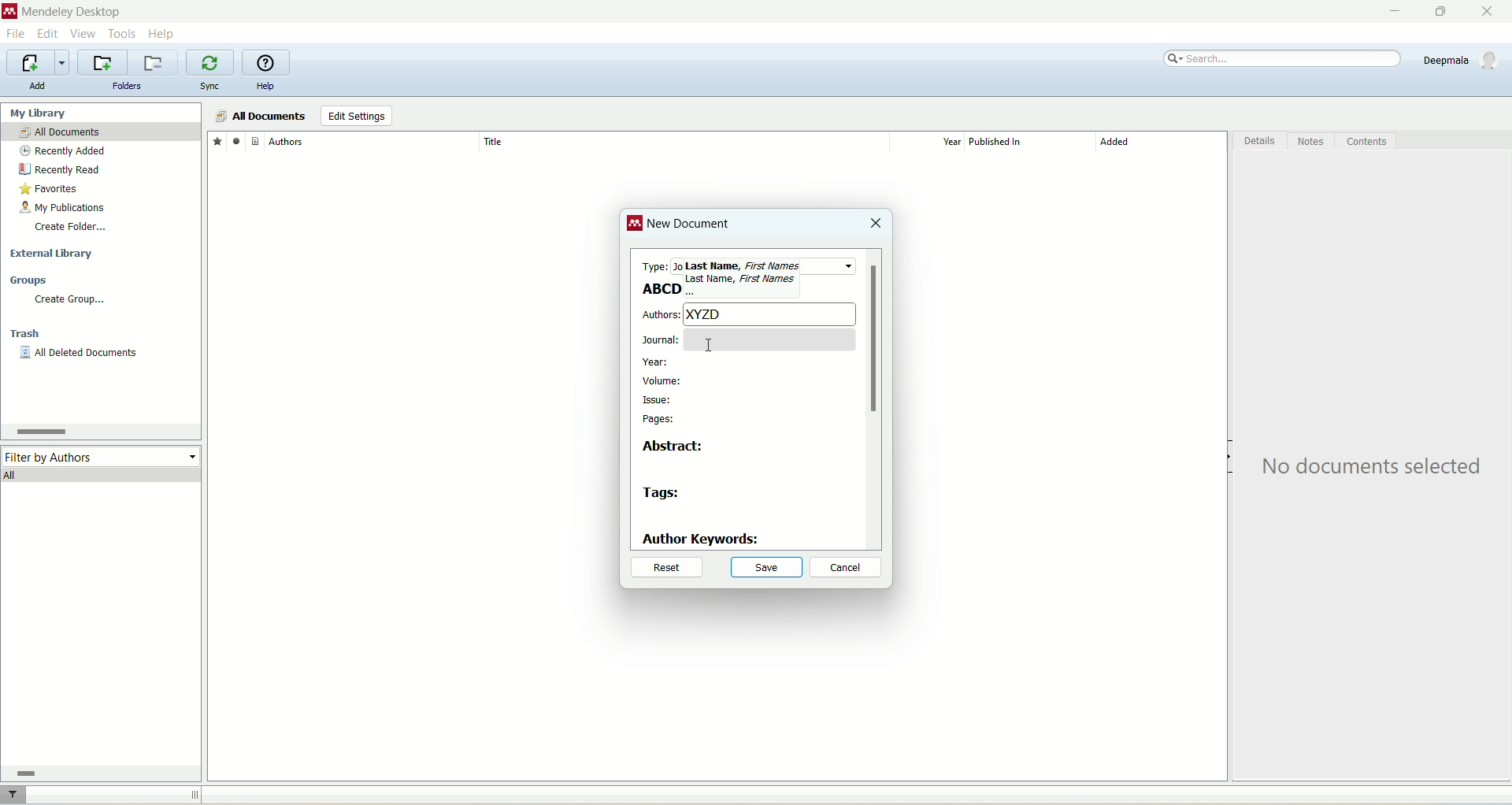 Image resolution: width=1512 pixels, height=805 pixels. Describe the element at coordinates (59, 169) in the screenshot. I see `recently read` at that location.